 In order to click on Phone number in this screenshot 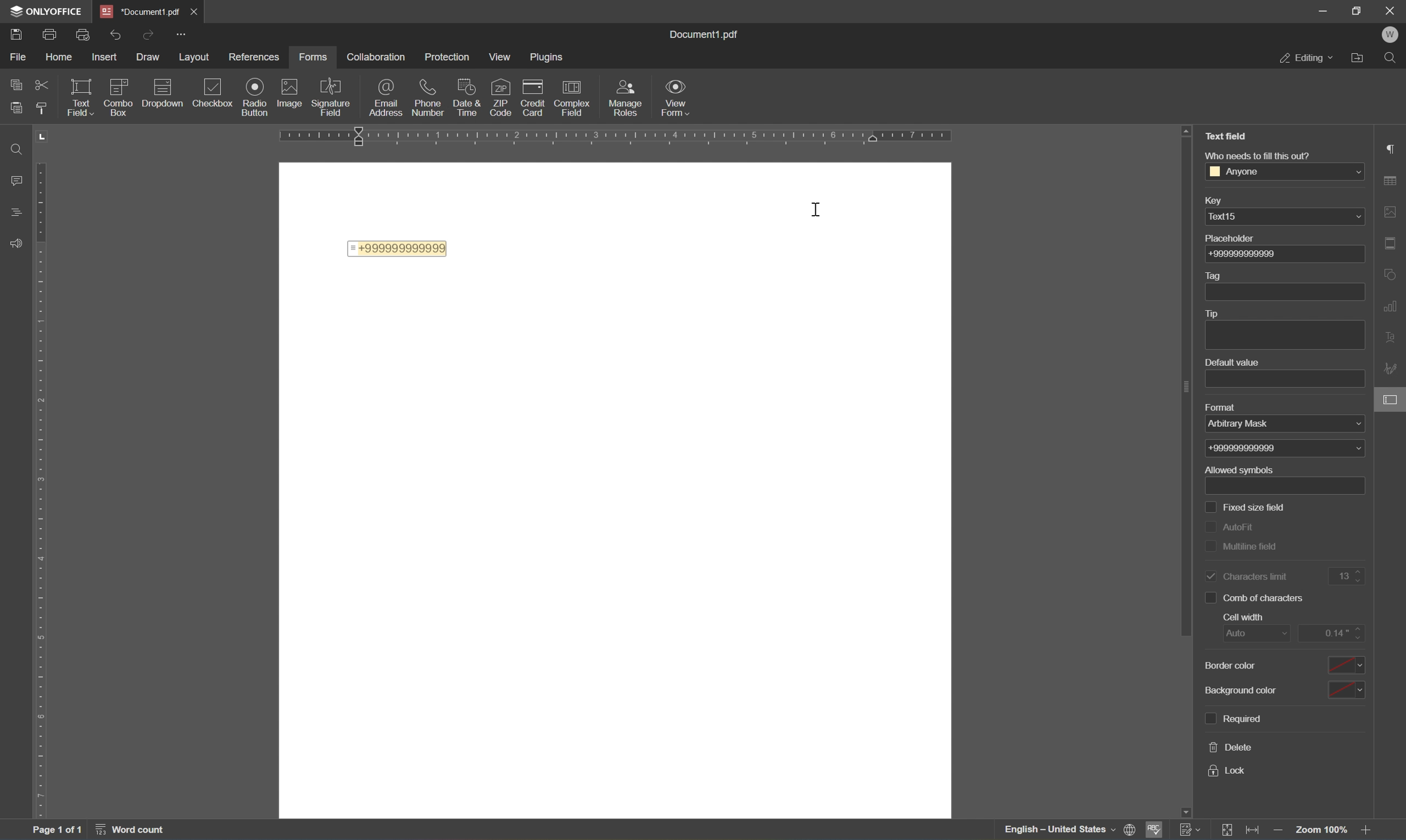, I will do `click(1266, 468)`.